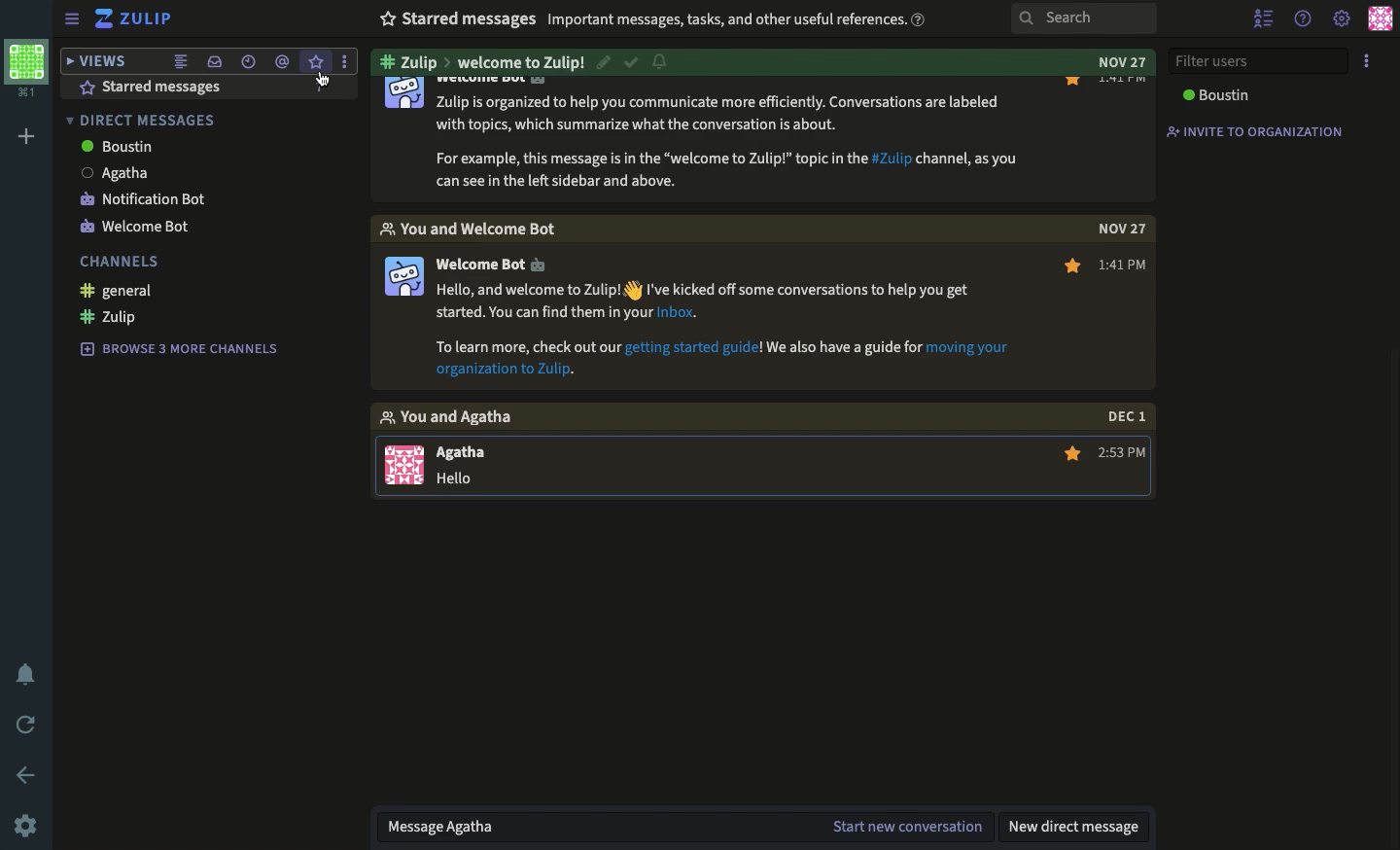 This screenshot has height=850, width=1400. What do you see at coordinates (695, 346) in the screenshot?
I see ` getting started guide!` at bounding box center [695, 346].